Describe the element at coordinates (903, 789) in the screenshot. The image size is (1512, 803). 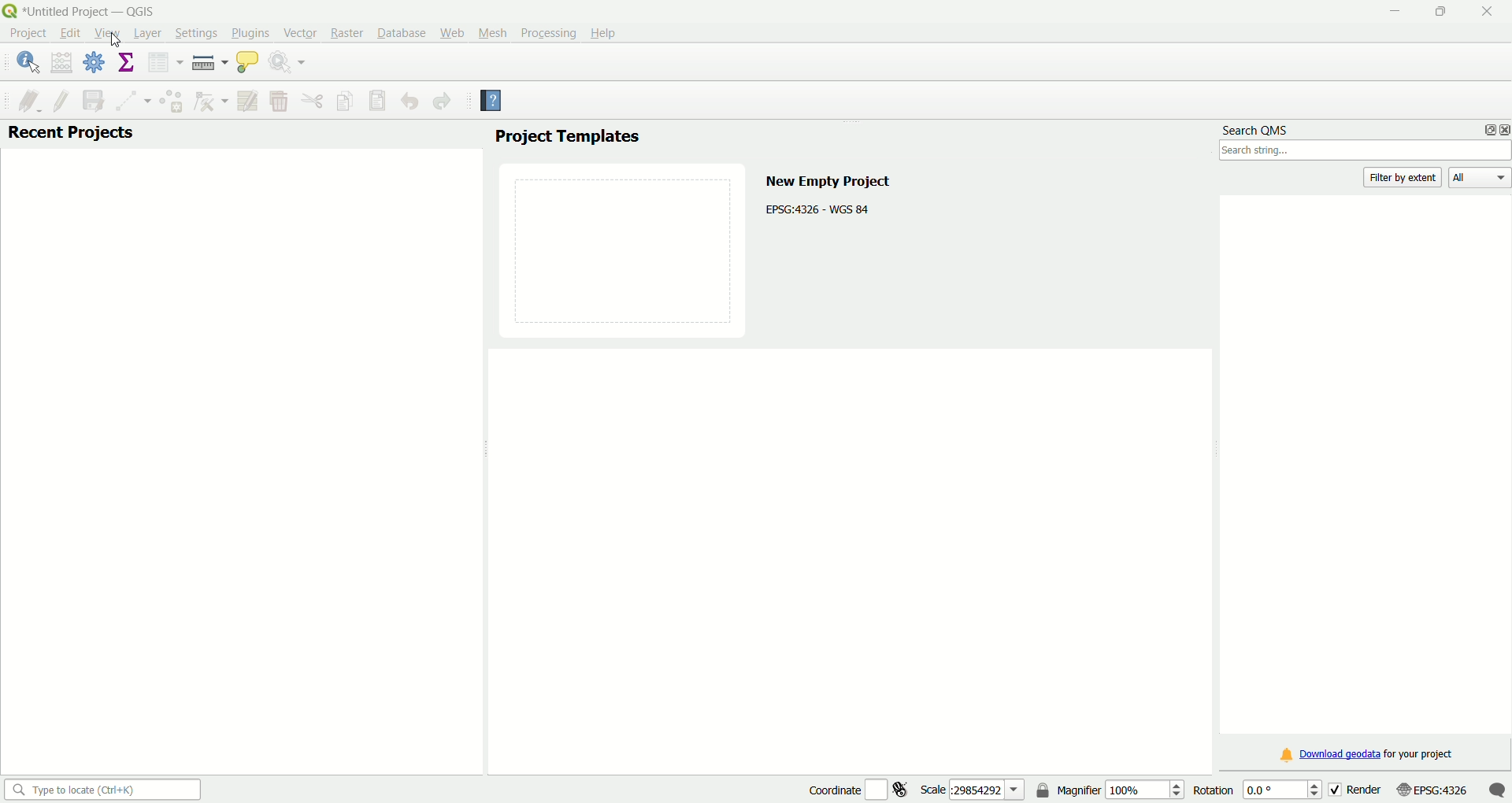
I see `toggle extents` at that location.